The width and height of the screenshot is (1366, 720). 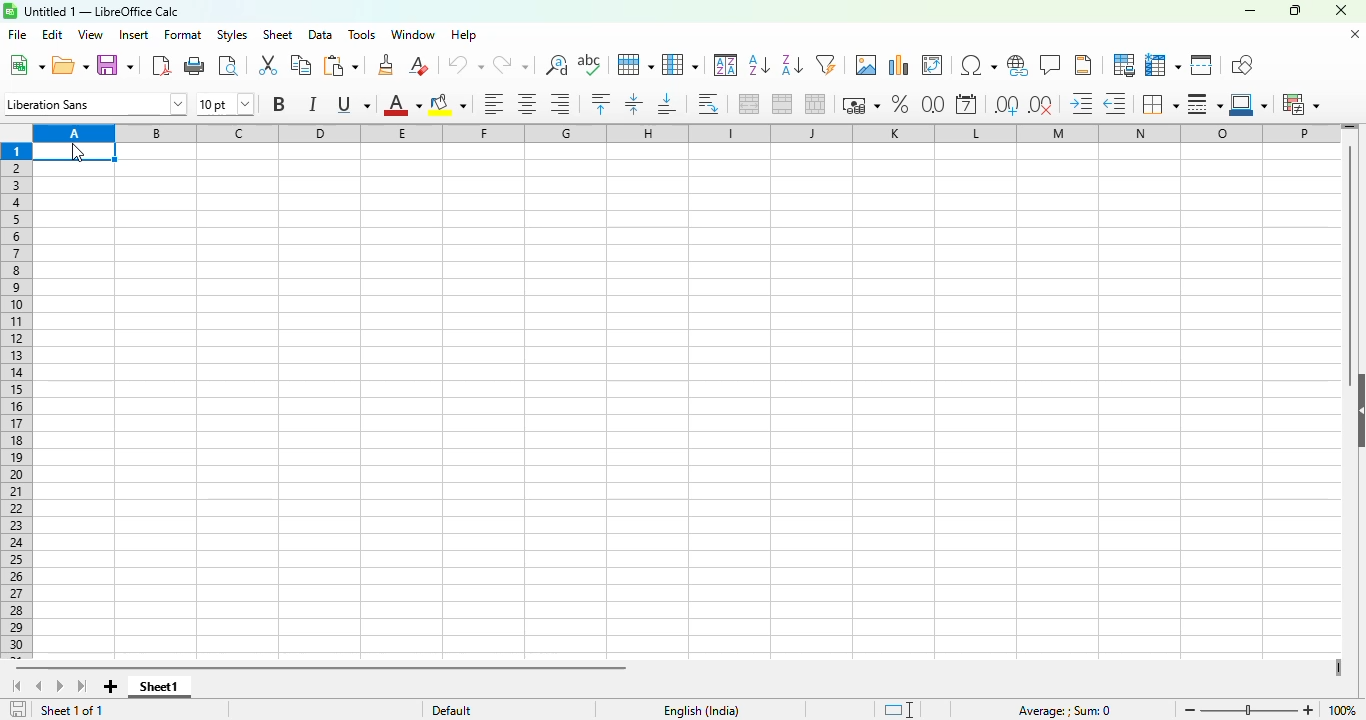 What do you see at coordinates (685, 132) in the screenshot?
I see `columns` at bounding box center [685, 132].